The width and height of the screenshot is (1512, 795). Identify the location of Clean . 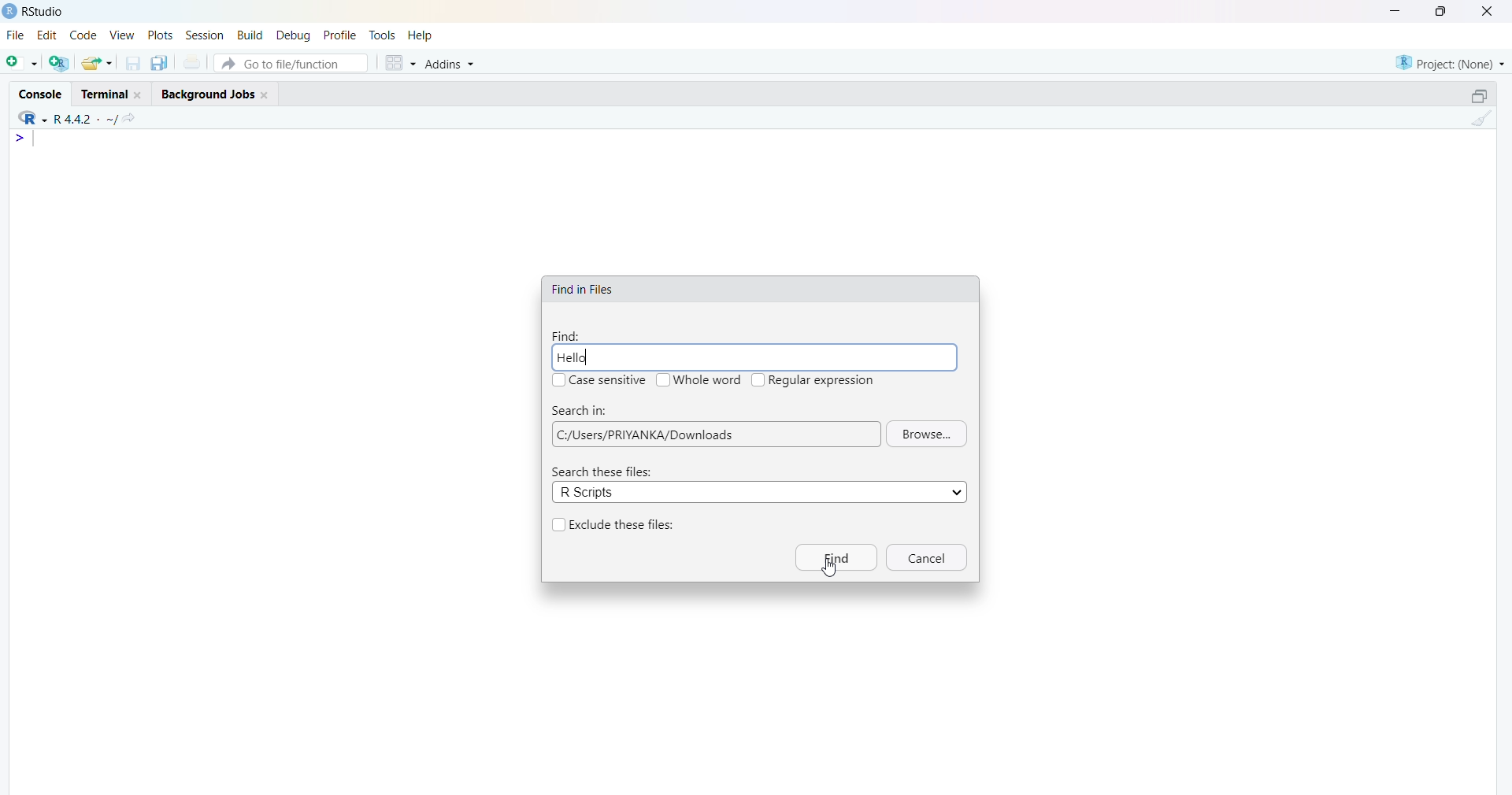
(1481, 117).